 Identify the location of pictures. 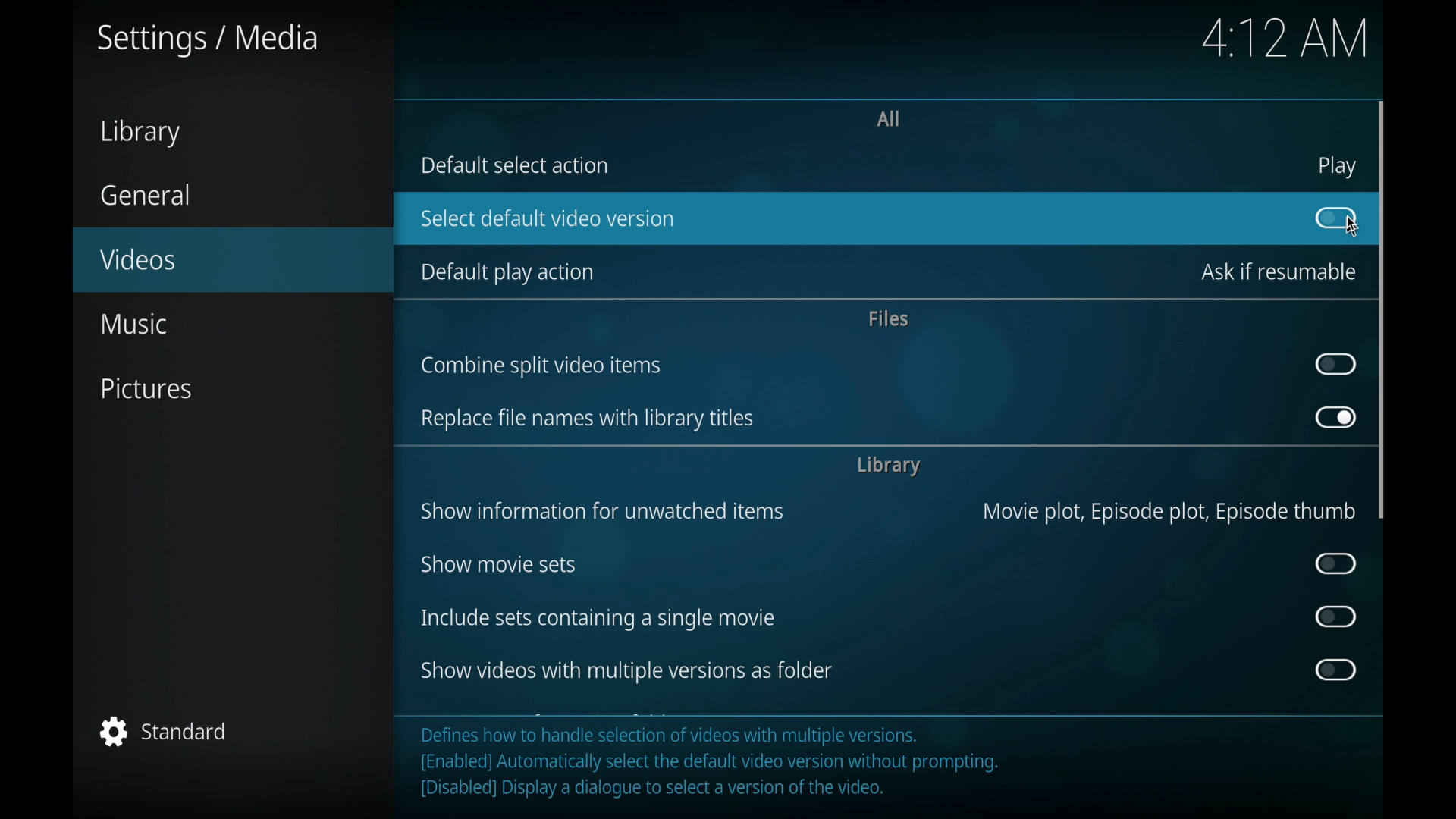
(149, 389).